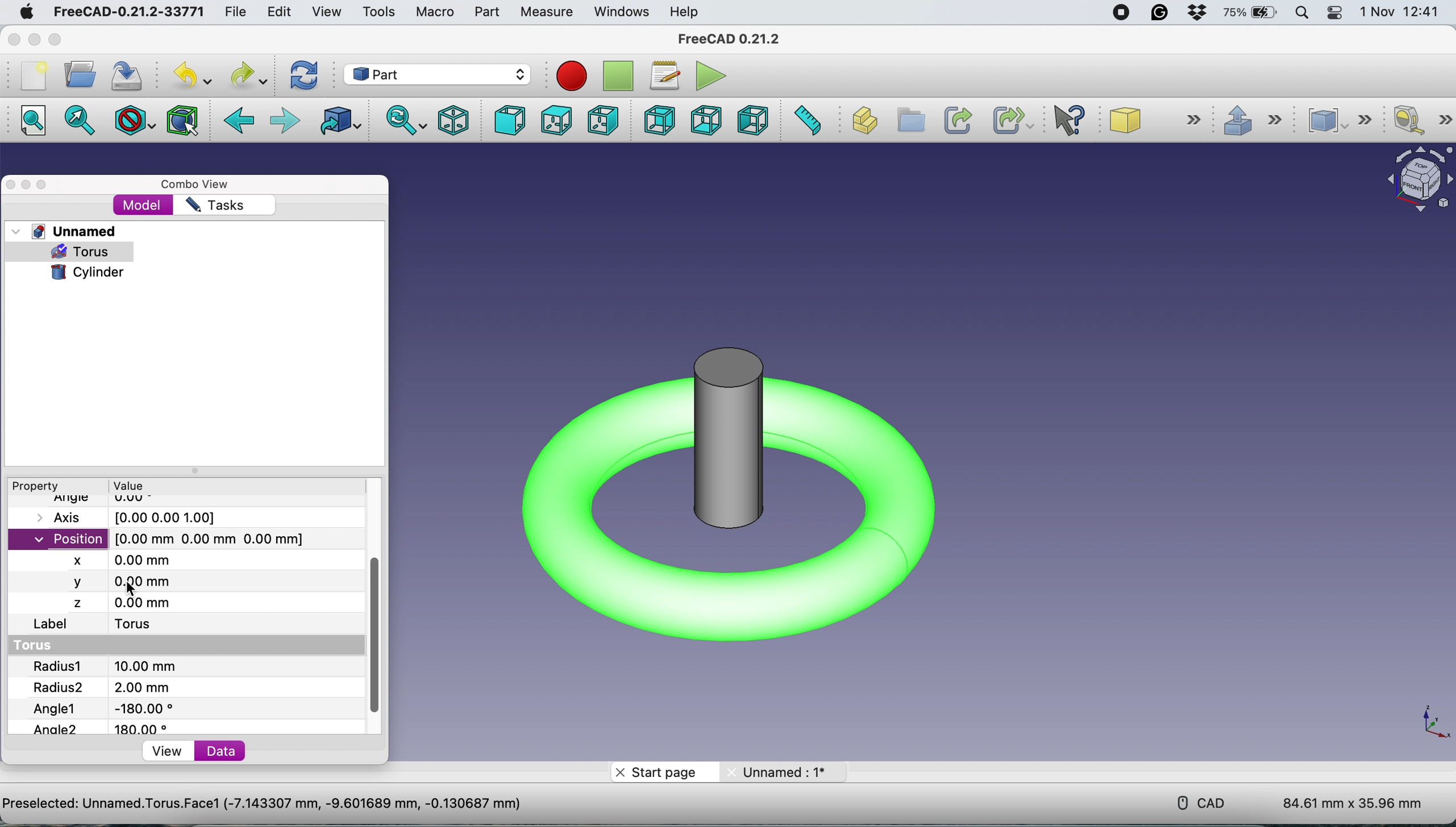 This screenshot has height=827, width=1456. Describe the element at coordinates (1257, 122) in the screenshot. I see `extrude` at that location.